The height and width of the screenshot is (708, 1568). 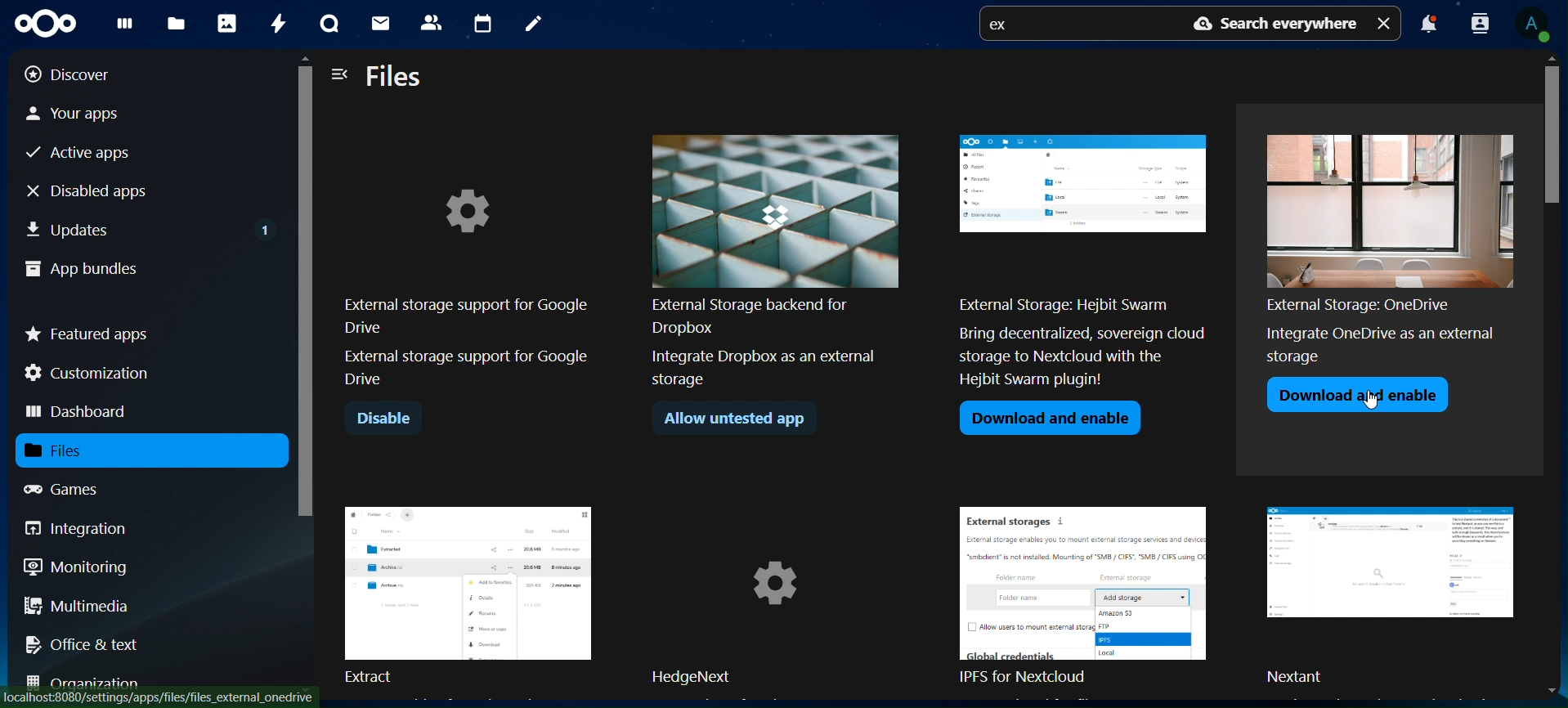 I want to click on dashboard, so click(x=79, y=413).